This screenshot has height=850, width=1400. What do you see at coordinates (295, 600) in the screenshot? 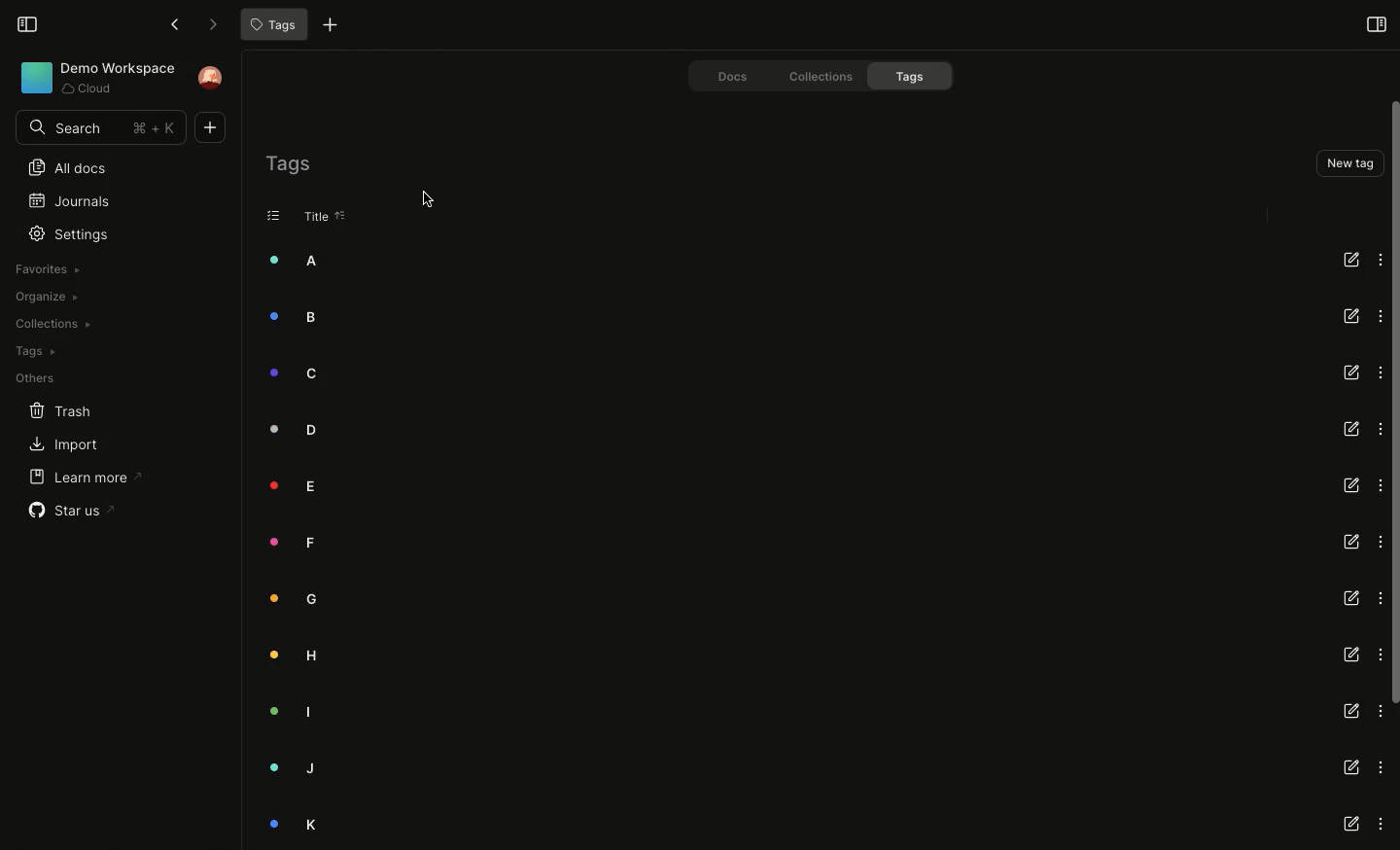
I see `G` at bounding box center [295, 600].